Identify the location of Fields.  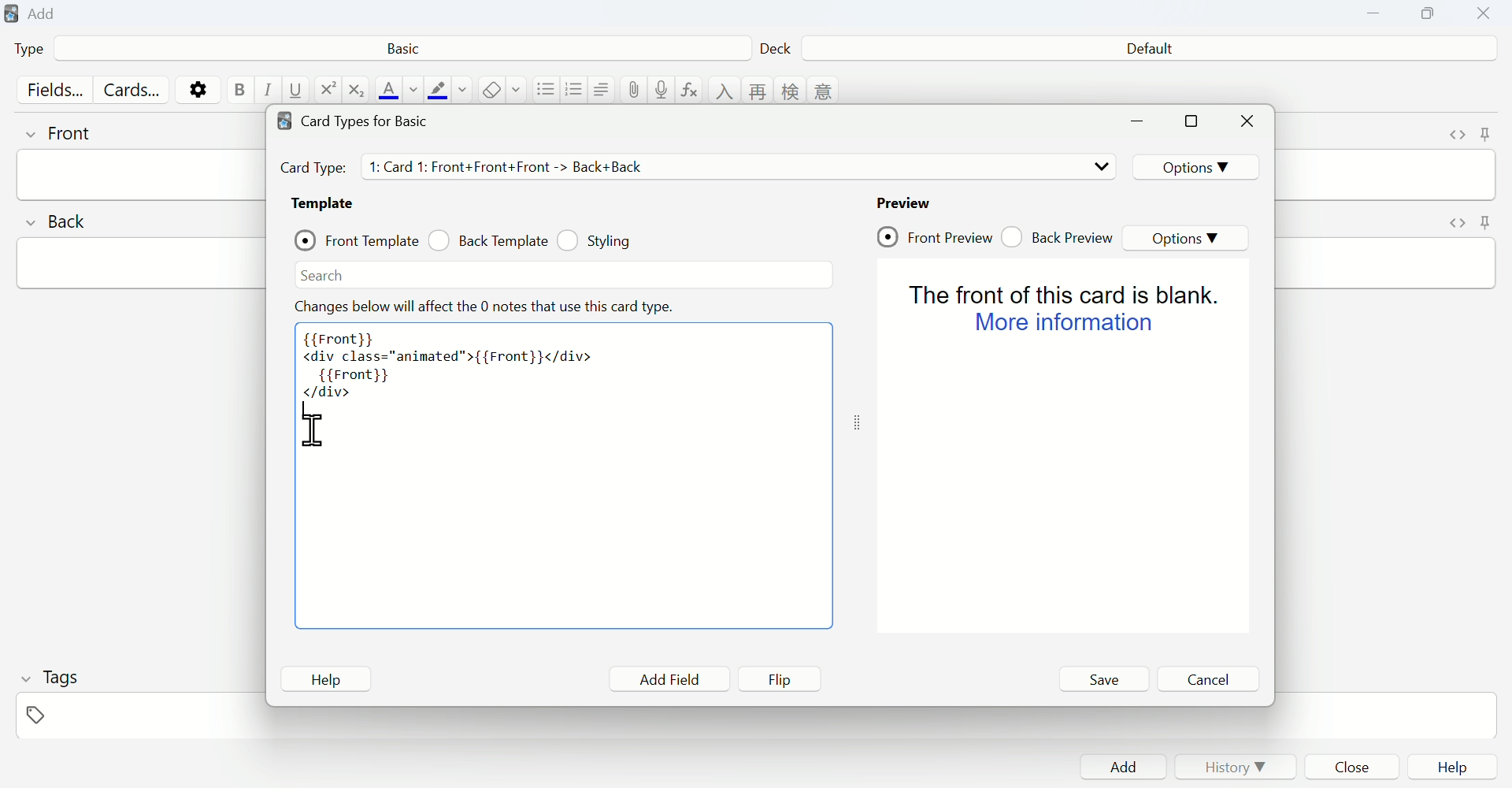
(52, 89).